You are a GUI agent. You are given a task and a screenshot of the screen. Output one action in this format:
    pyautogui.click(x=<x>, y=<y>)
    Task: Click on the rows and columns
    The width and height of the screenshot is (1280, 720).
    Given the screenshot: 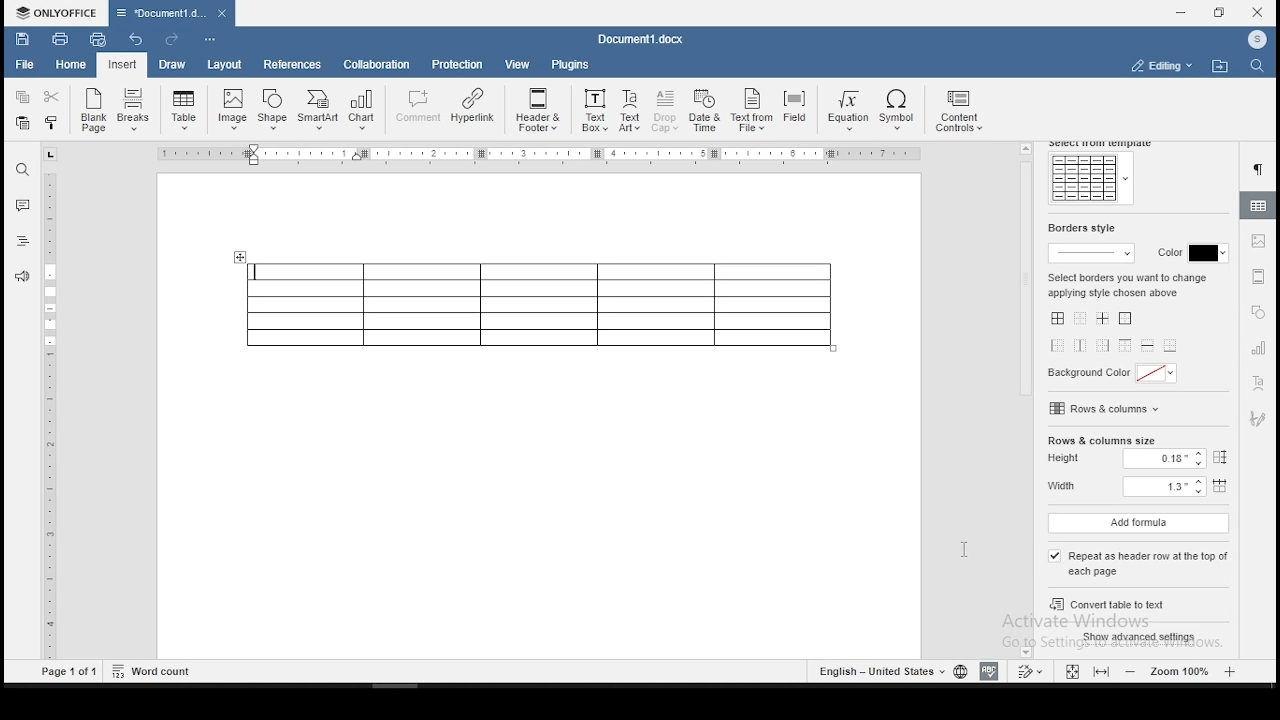 What is the action you would take?
    pyautogui.click(x=1107, y=408)
    